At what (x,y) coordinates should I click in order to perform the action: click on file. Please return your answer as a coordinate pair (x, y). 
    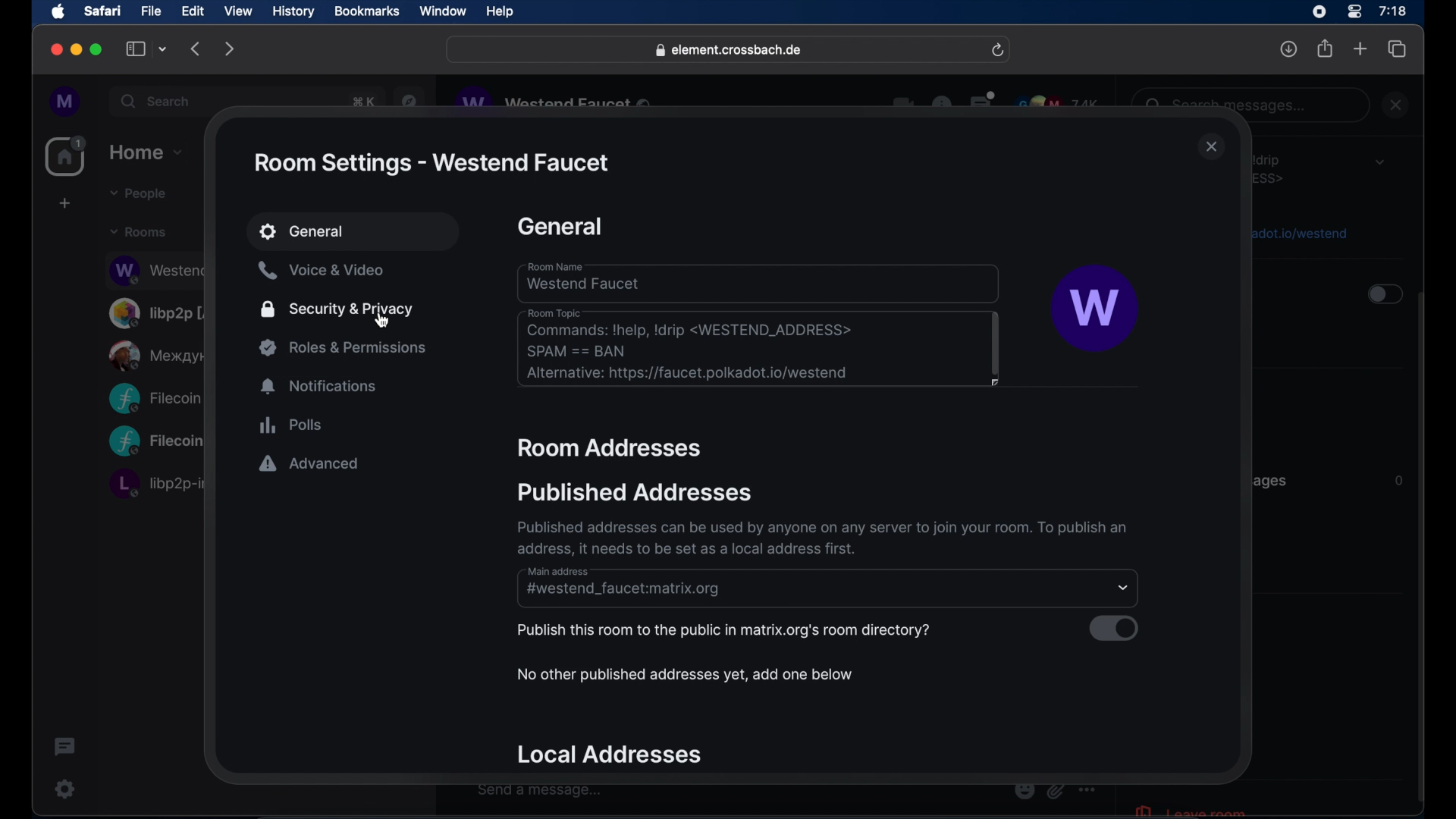
    Looking at the image, I should click on (151, 11).